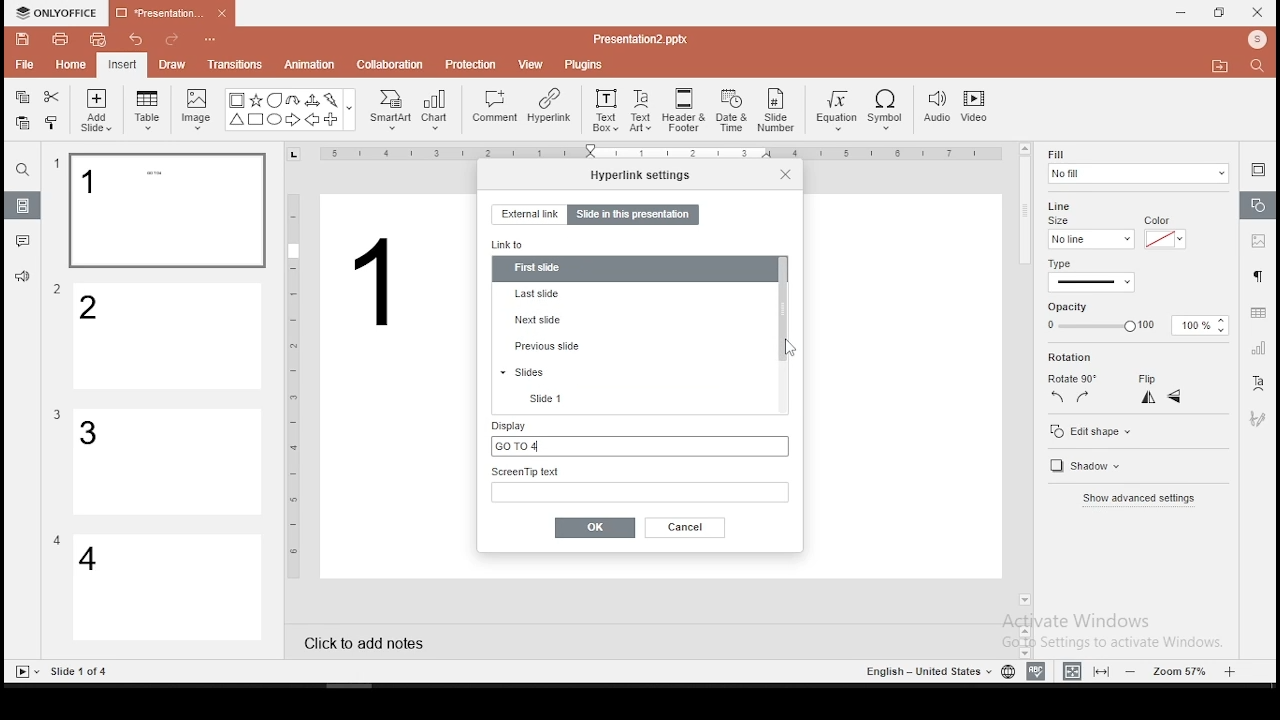 This screenshot has width=1280, height=720. What do you see at coordinates (641, 109) in the screenshot?
I see `text art` at bounding box center [641, 109].